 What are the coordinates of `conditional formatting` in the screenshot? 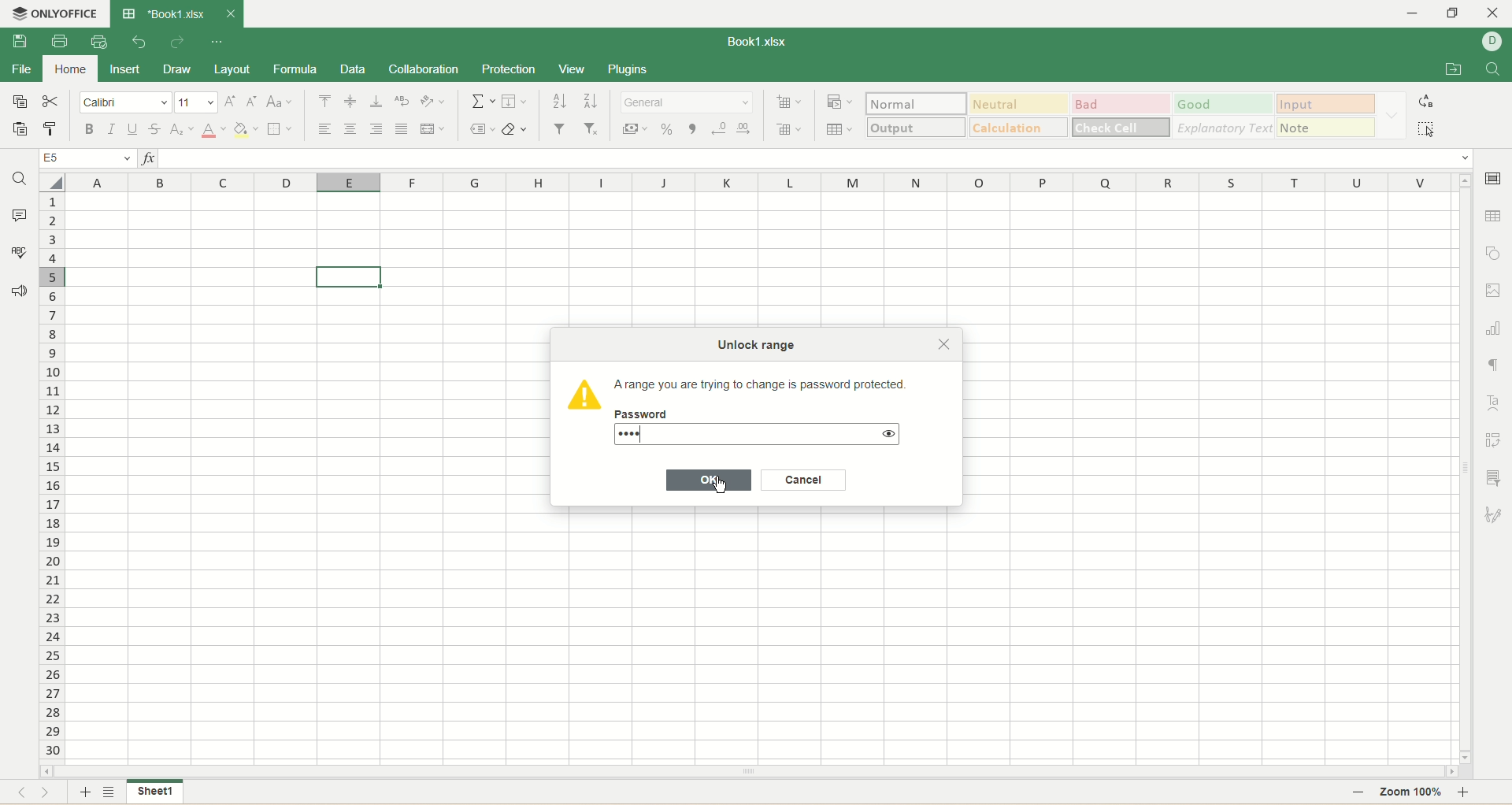 It's located at (837, 103).